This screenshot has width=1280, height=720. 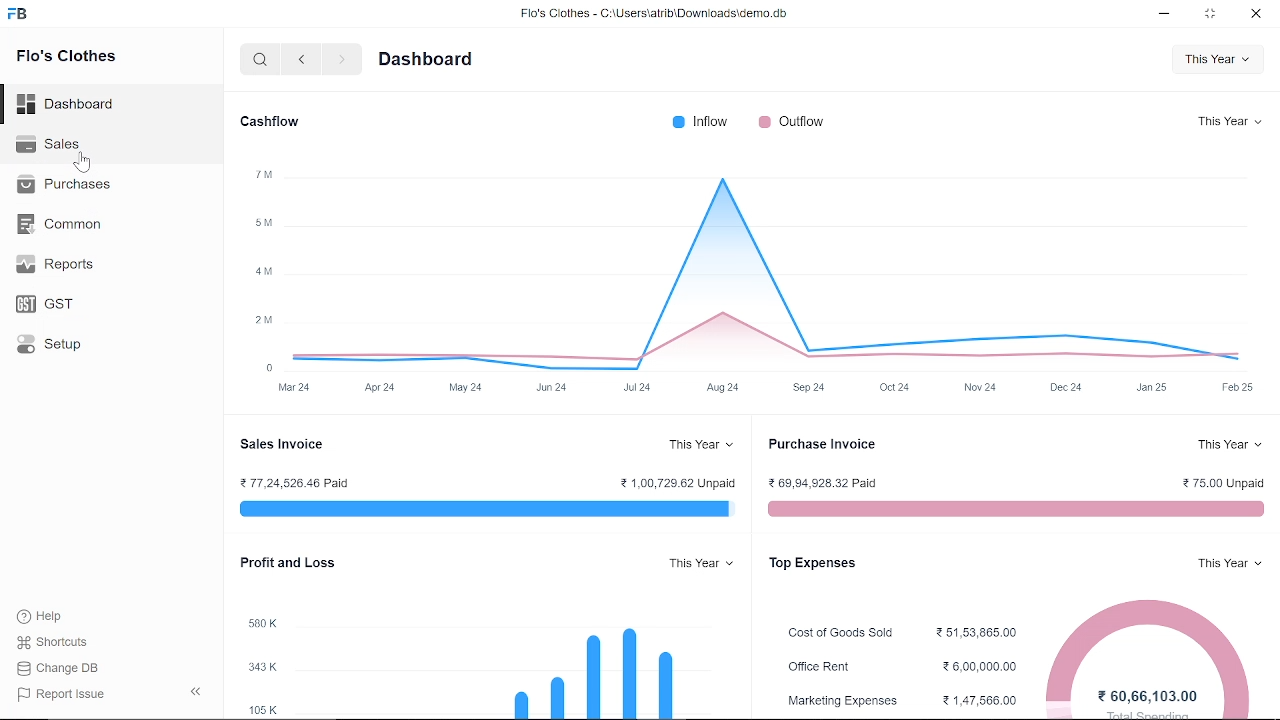 I want to click on This Year v, so click(x=1219, y=59).